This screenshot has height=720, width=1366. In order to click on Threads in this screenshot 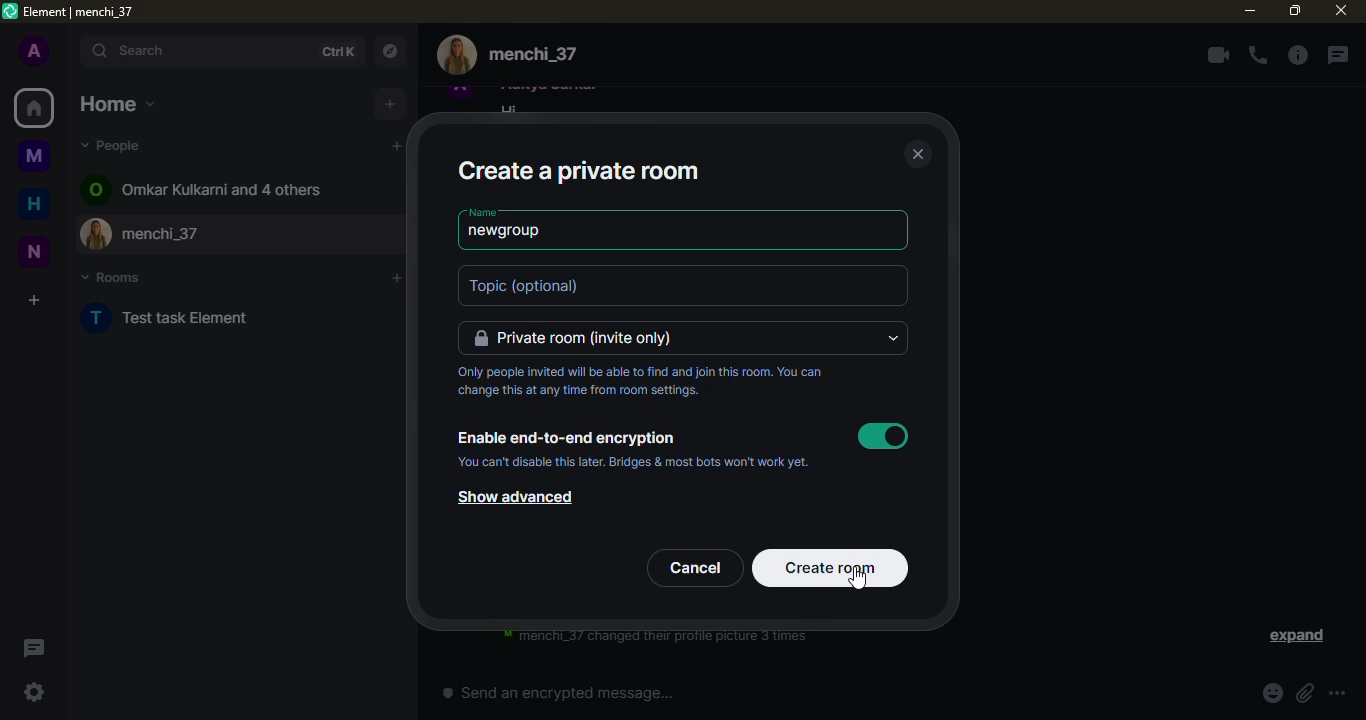, I will do `click(35, 648)`.